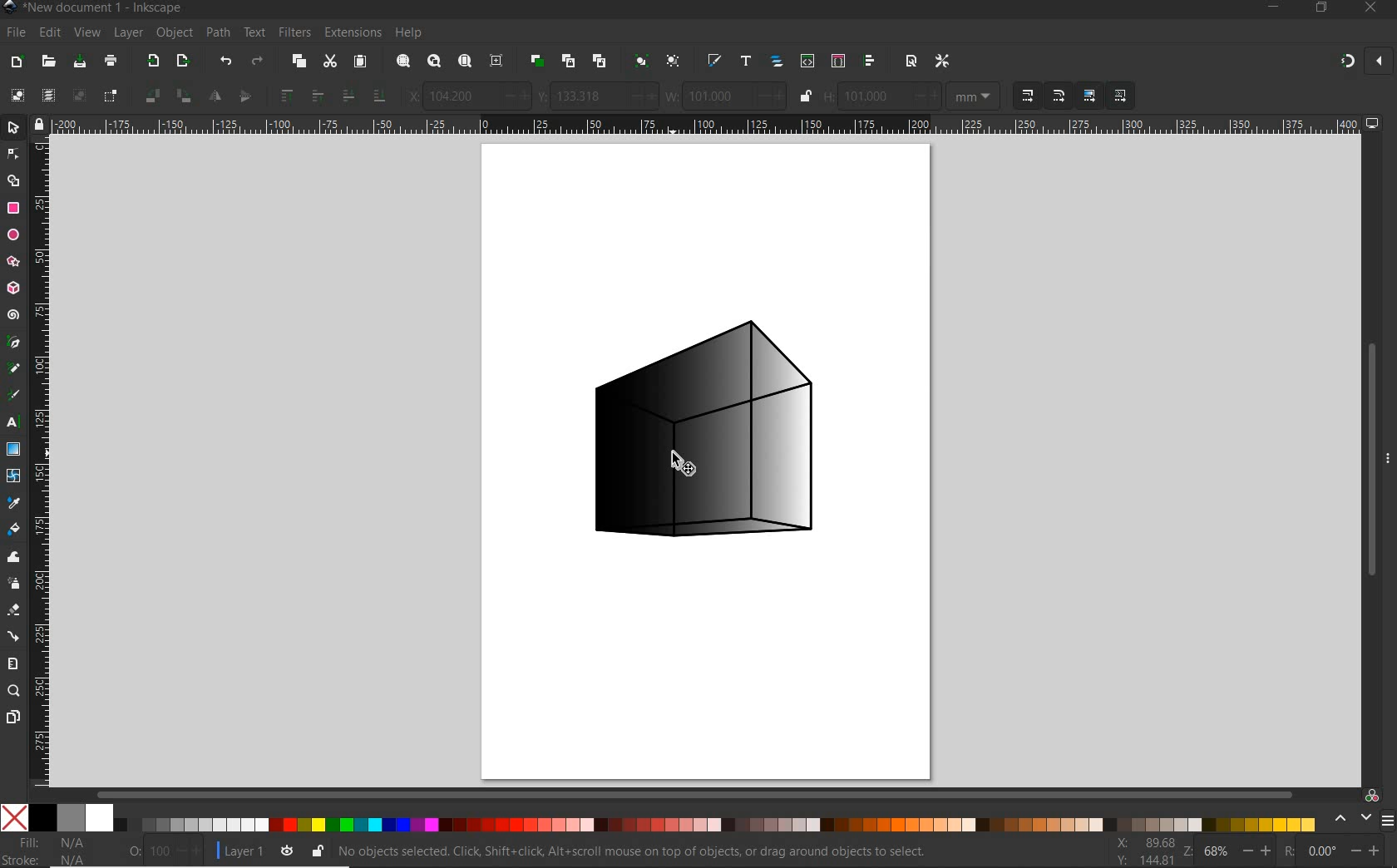 This screenshot has height=868, width=1397. What do you see at coordinates (254, 32) in the screenshot?
I see `TEXT` at bounding box center [254, 32].